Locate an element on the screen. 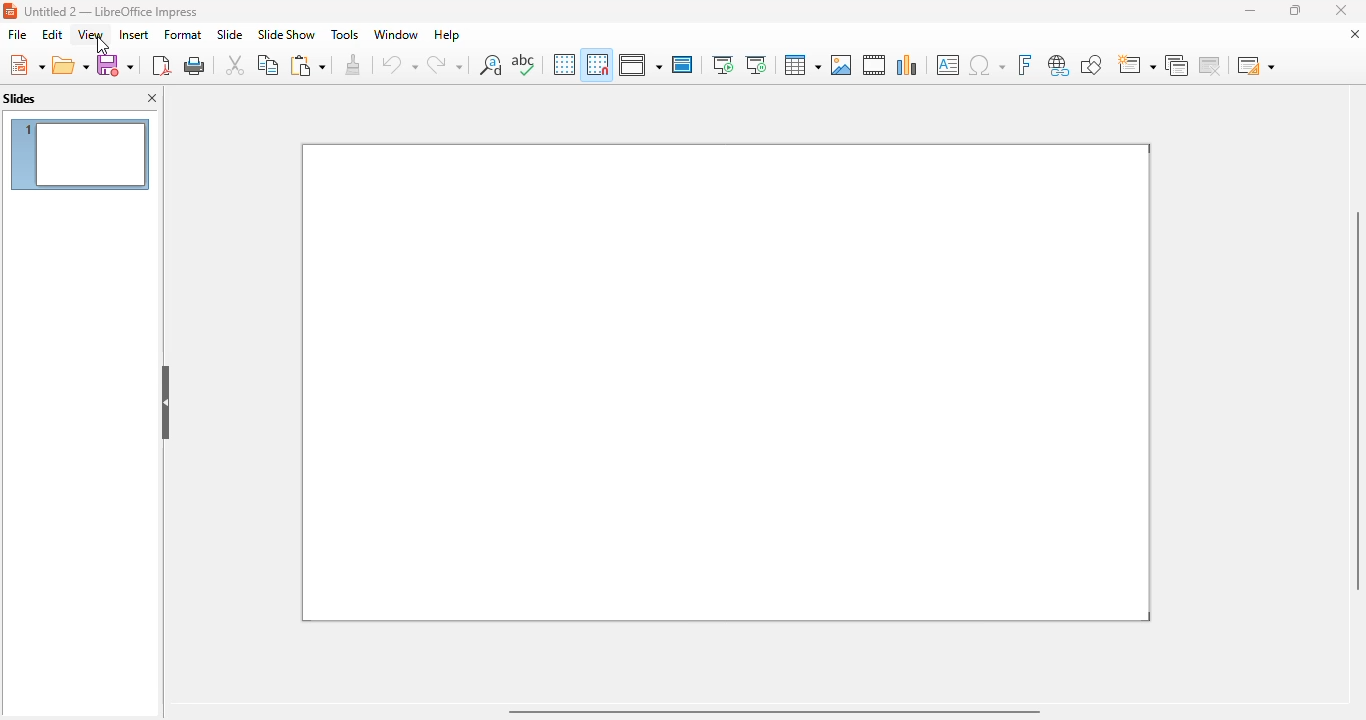 This screenshot has height=720, width=1366. open is located at coordinates (71, 64).